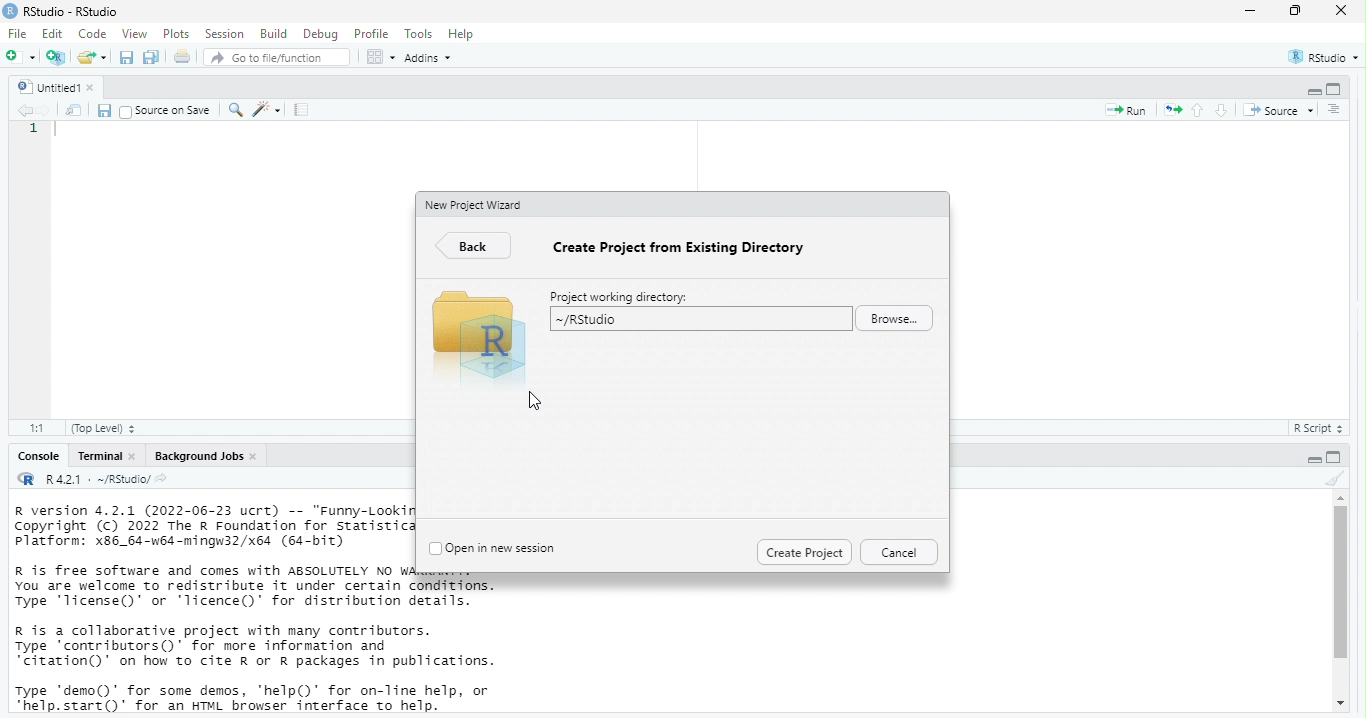 This screenshot has width=1366, height=718. What do you see at coordinates (1199, 108) in the screenshot?
I see `go to previous section/chunk` at bounding box center [1199, 108].